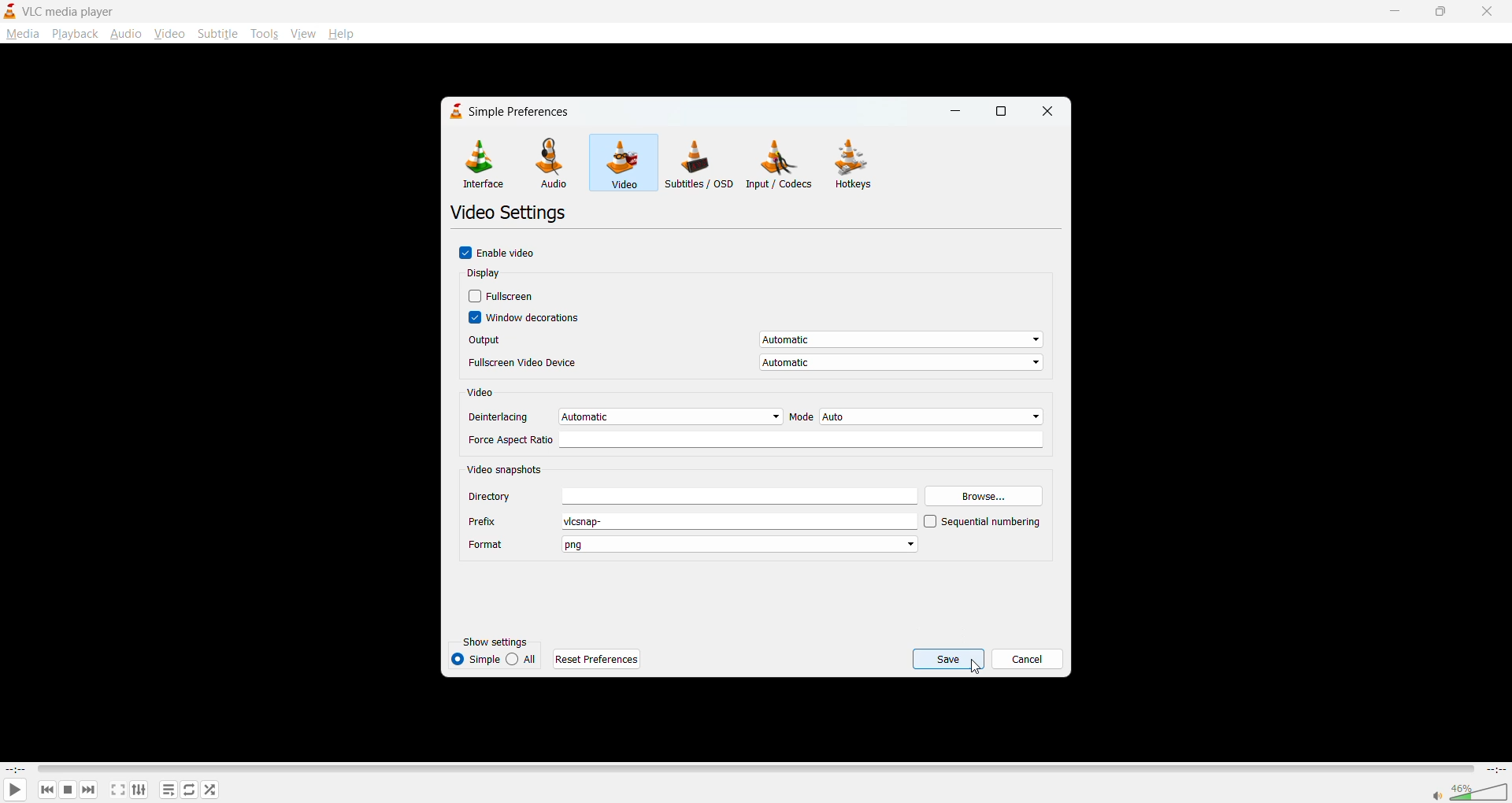 This screenshot has width=1512, height=803. What do you see at coordinates (958, 111) in the screenshot?
I see `minimize` at bounding box center [958, 111].